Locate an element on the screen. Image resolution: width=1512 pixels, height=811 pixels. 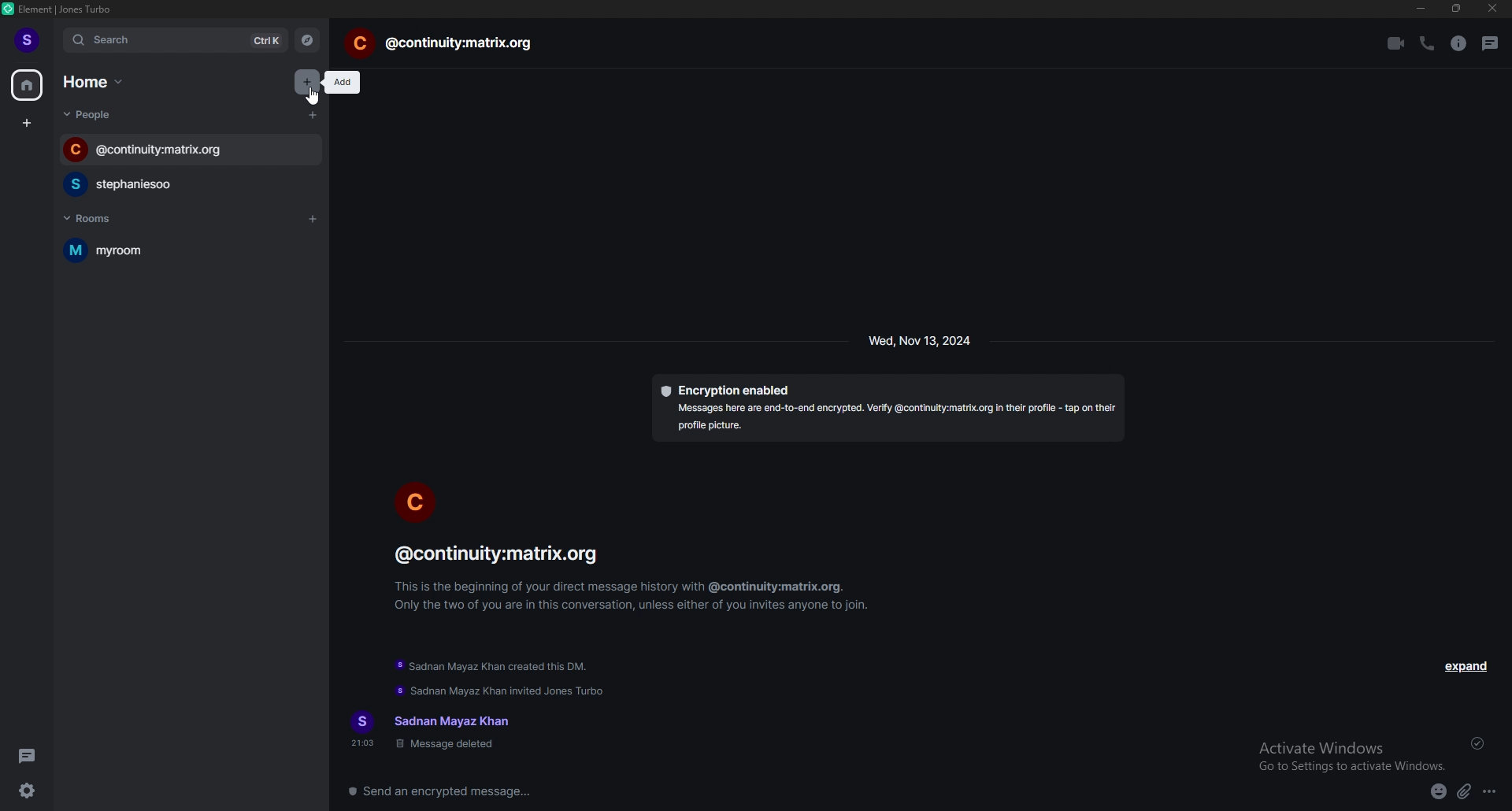
people is located at coordinates (94, 114).